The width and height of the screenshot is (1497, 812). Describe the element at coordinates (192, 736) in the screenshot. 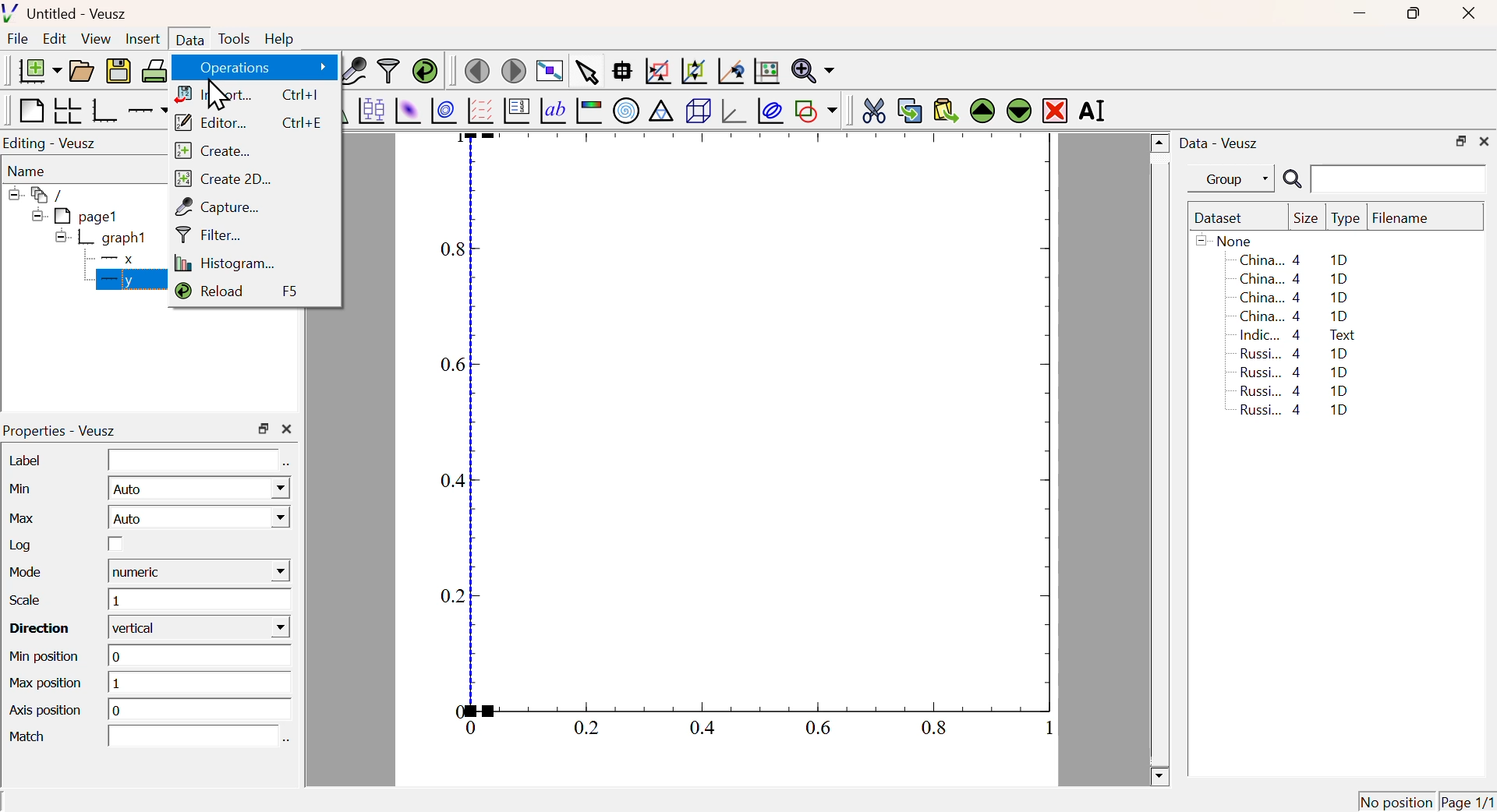

I see `Input` at that location.